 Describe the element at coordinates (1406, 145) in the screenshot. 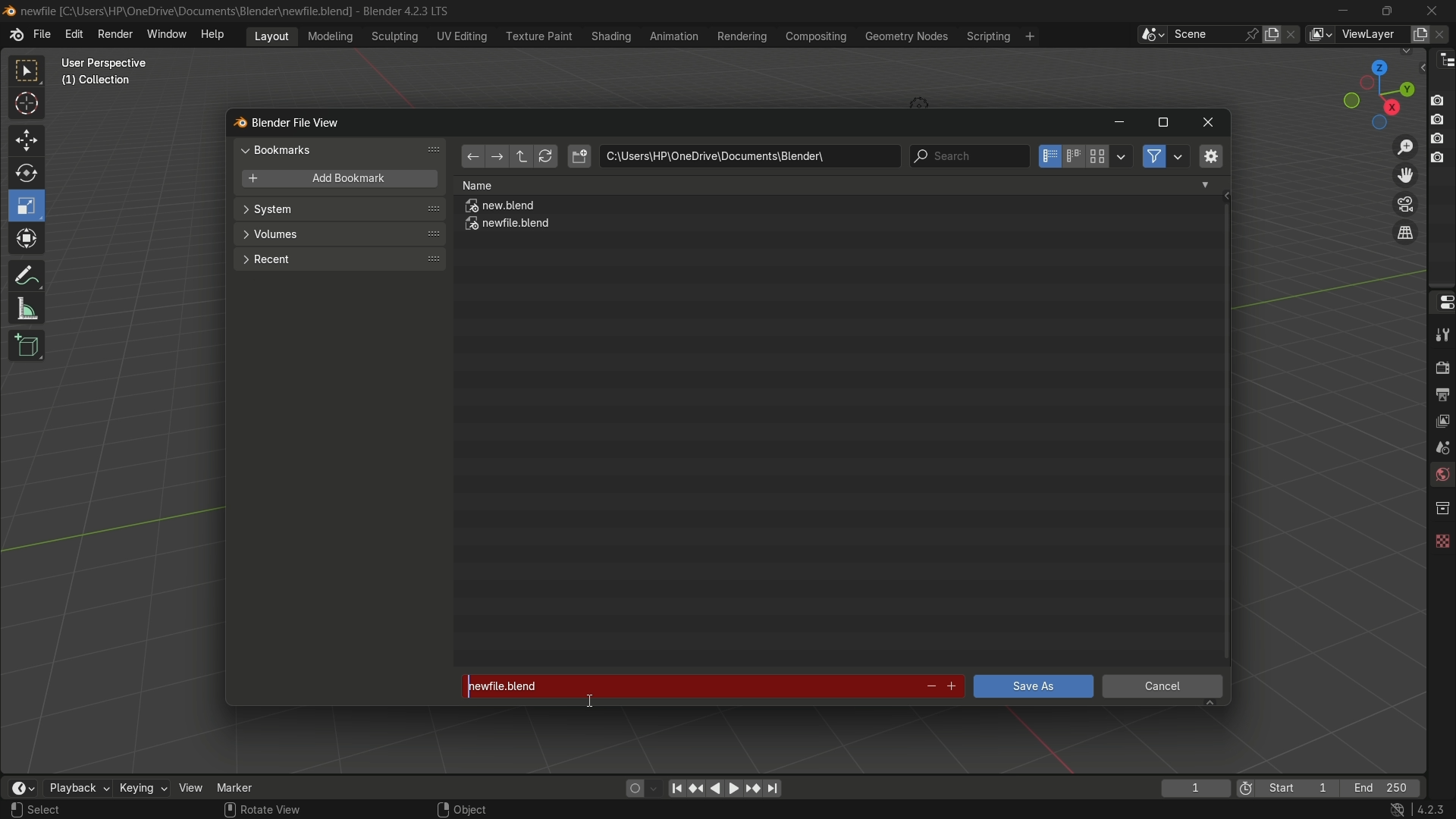

I see `zoom in/out` at that location.